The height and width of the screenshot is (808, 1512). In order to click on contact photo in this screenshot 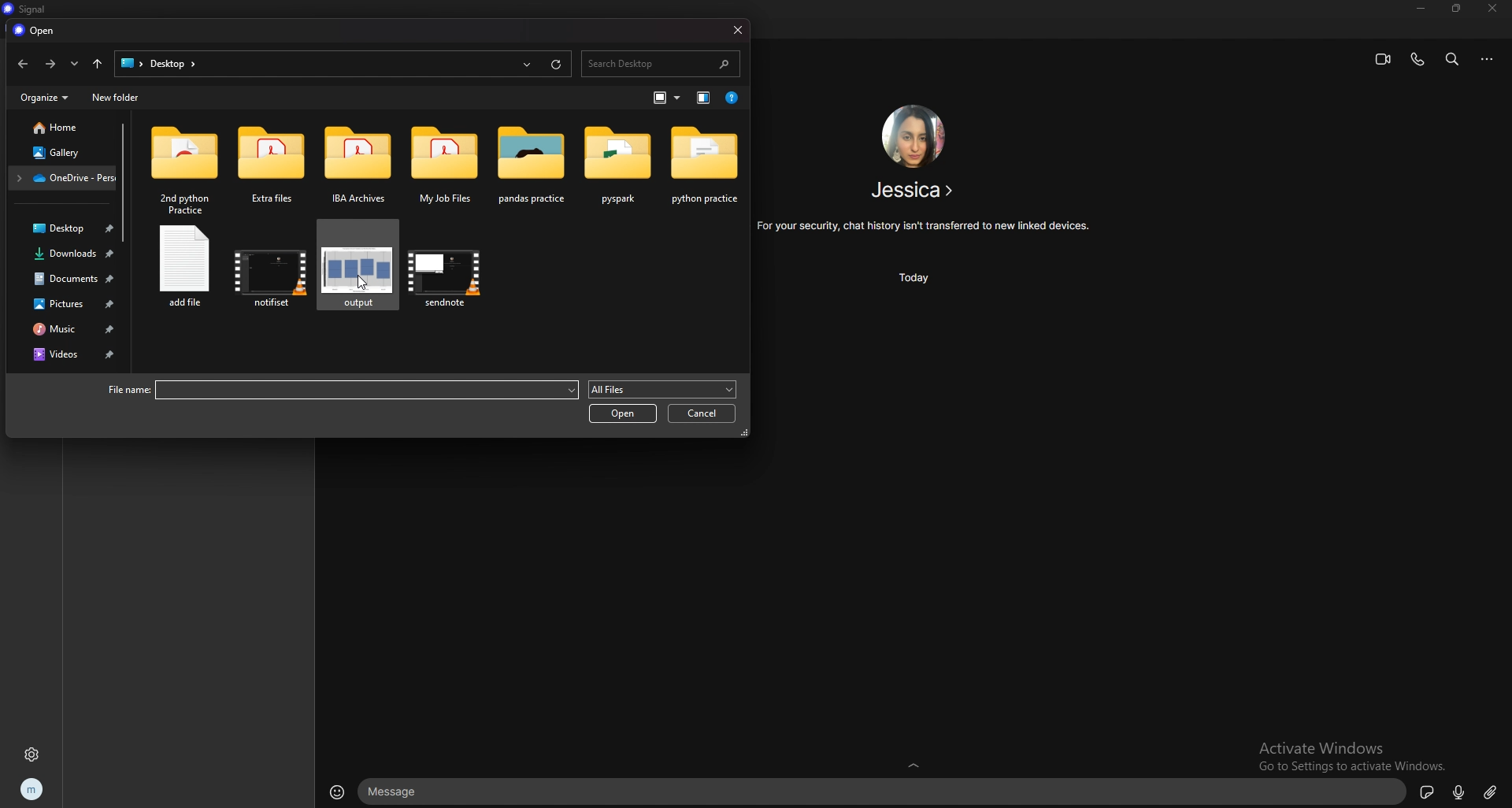, I will do `click(914, 136)`.